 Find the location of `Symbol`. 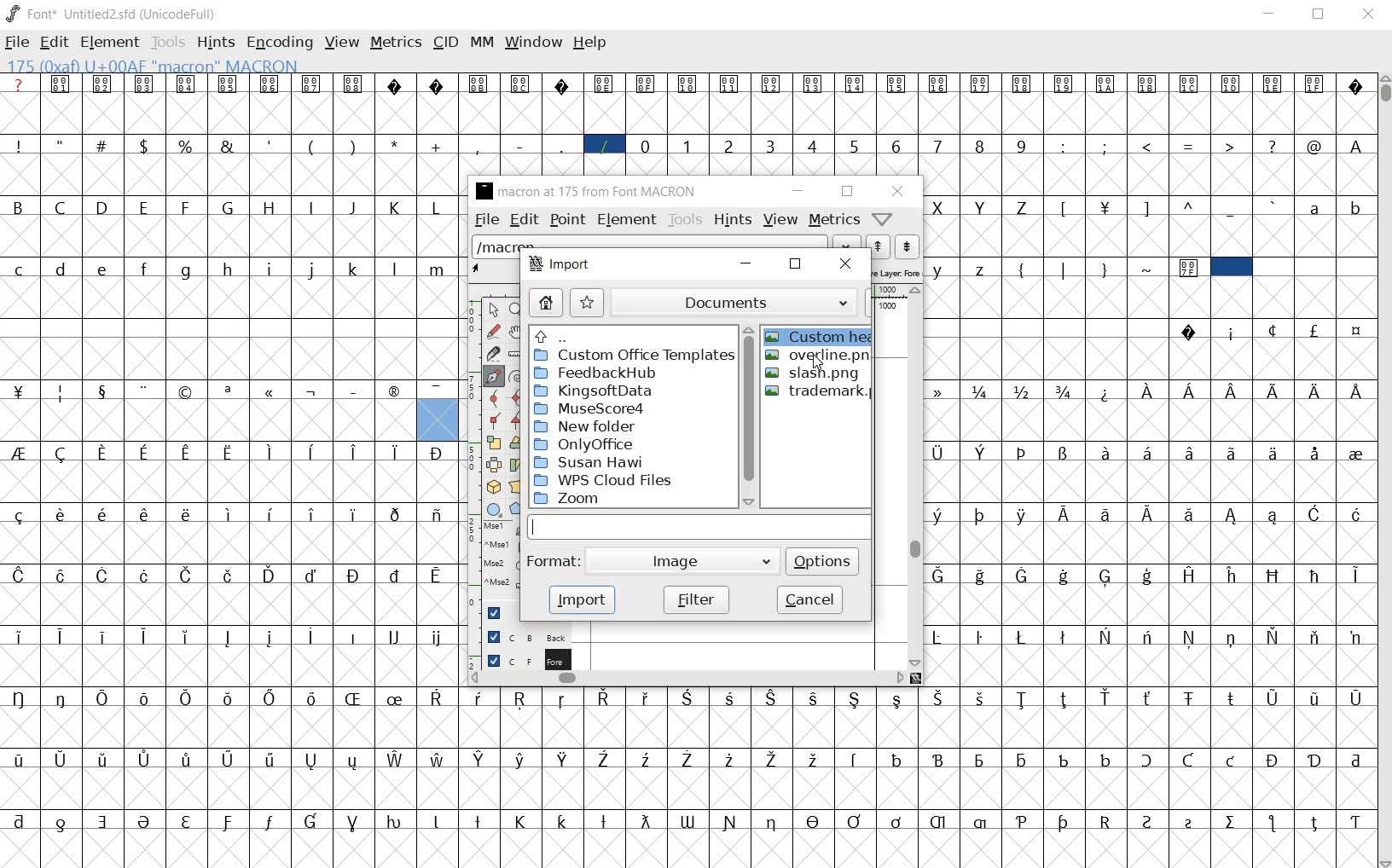

Symbol is located at coordinates (396, 513).